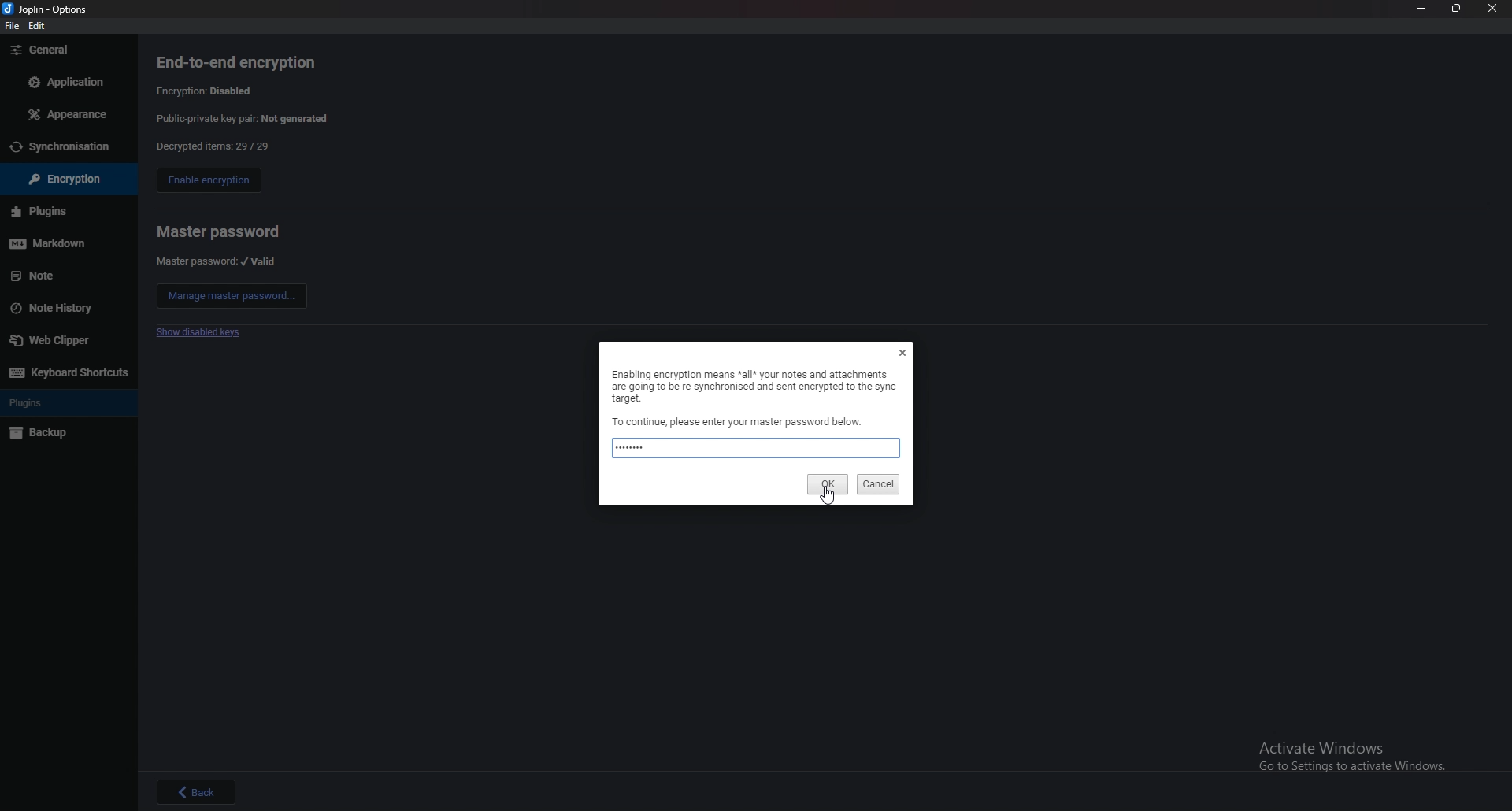 The height and width of the screenshot is (811, 1512). Describe the element at coordinates (58, 147) in the screenshot. I see `` at that location.